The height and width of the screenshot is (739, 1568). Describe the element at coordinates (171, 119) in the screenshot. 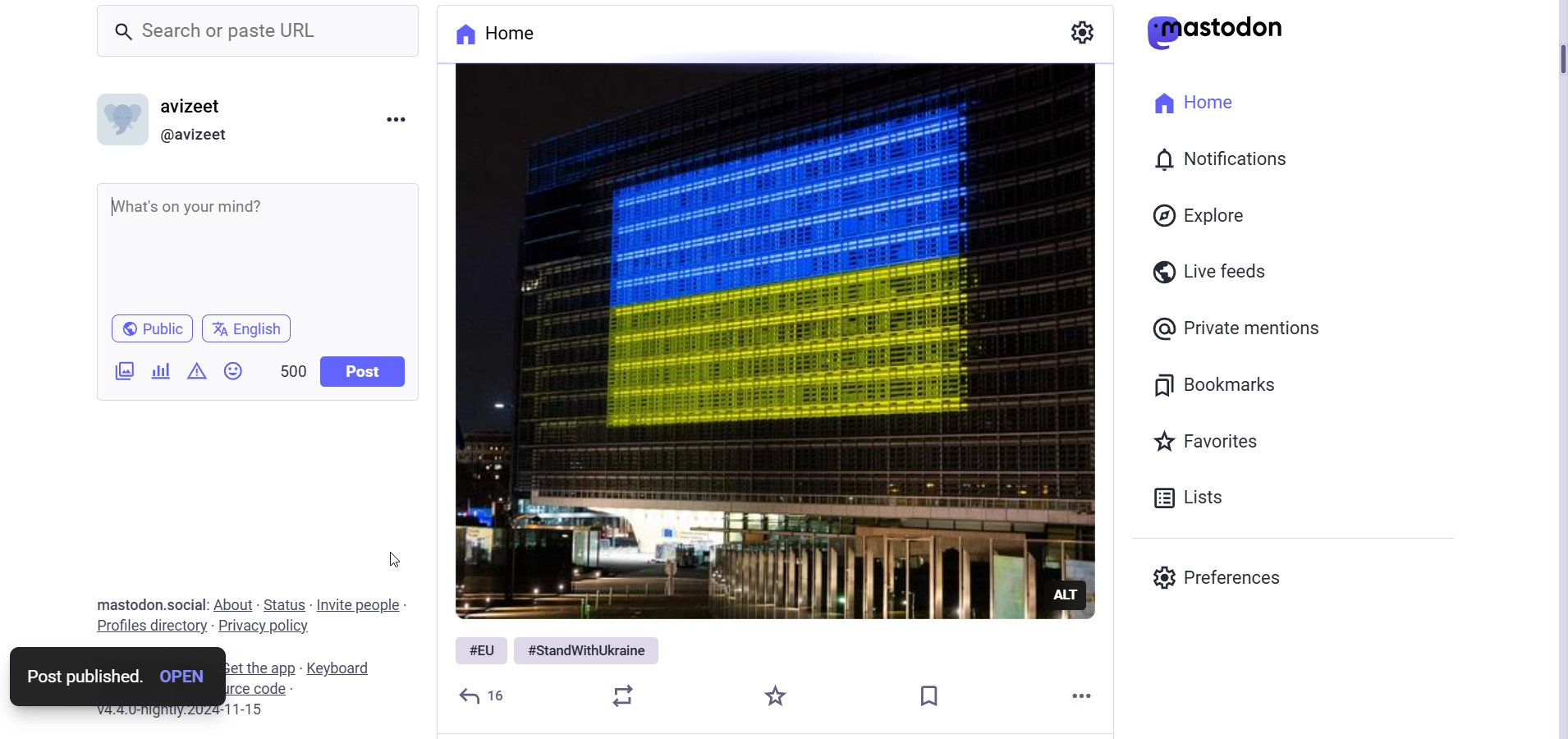

I see `Profile` at that location.